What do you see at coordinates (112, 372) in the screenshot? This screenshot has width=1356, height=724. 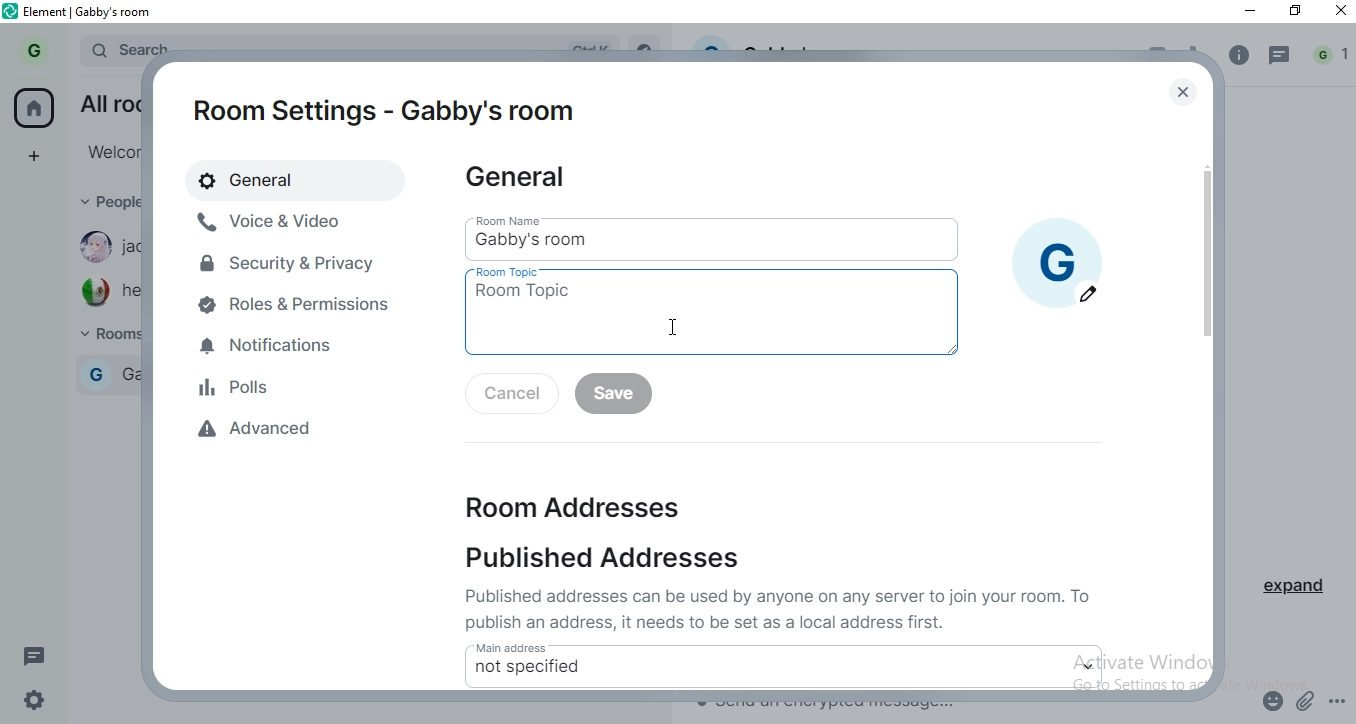 I see `gabby room` at bounding box center [112, 372].